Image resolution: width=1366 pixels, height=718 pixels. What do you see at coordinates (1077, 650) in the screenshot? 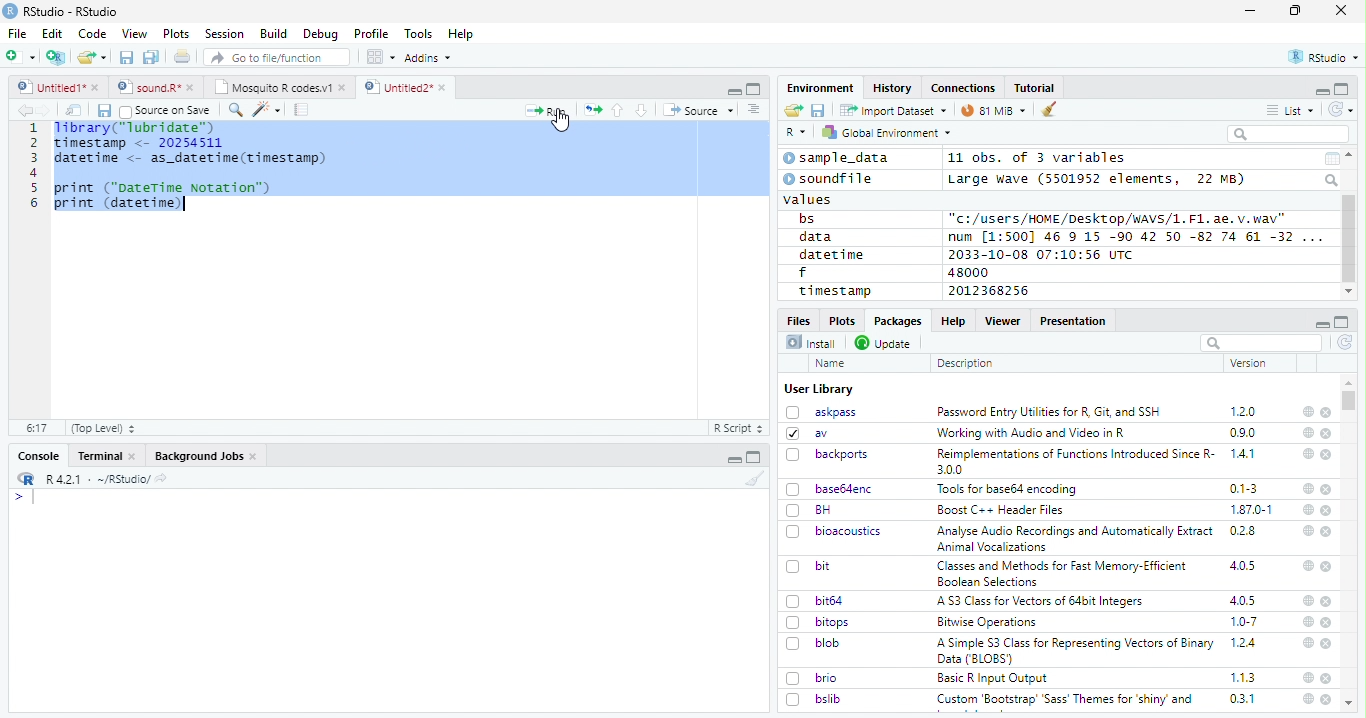
I see `A Simple S3 Class for Representing Vectors of Binary
Data (BLOBS)` at bounding box center [1077, 650].